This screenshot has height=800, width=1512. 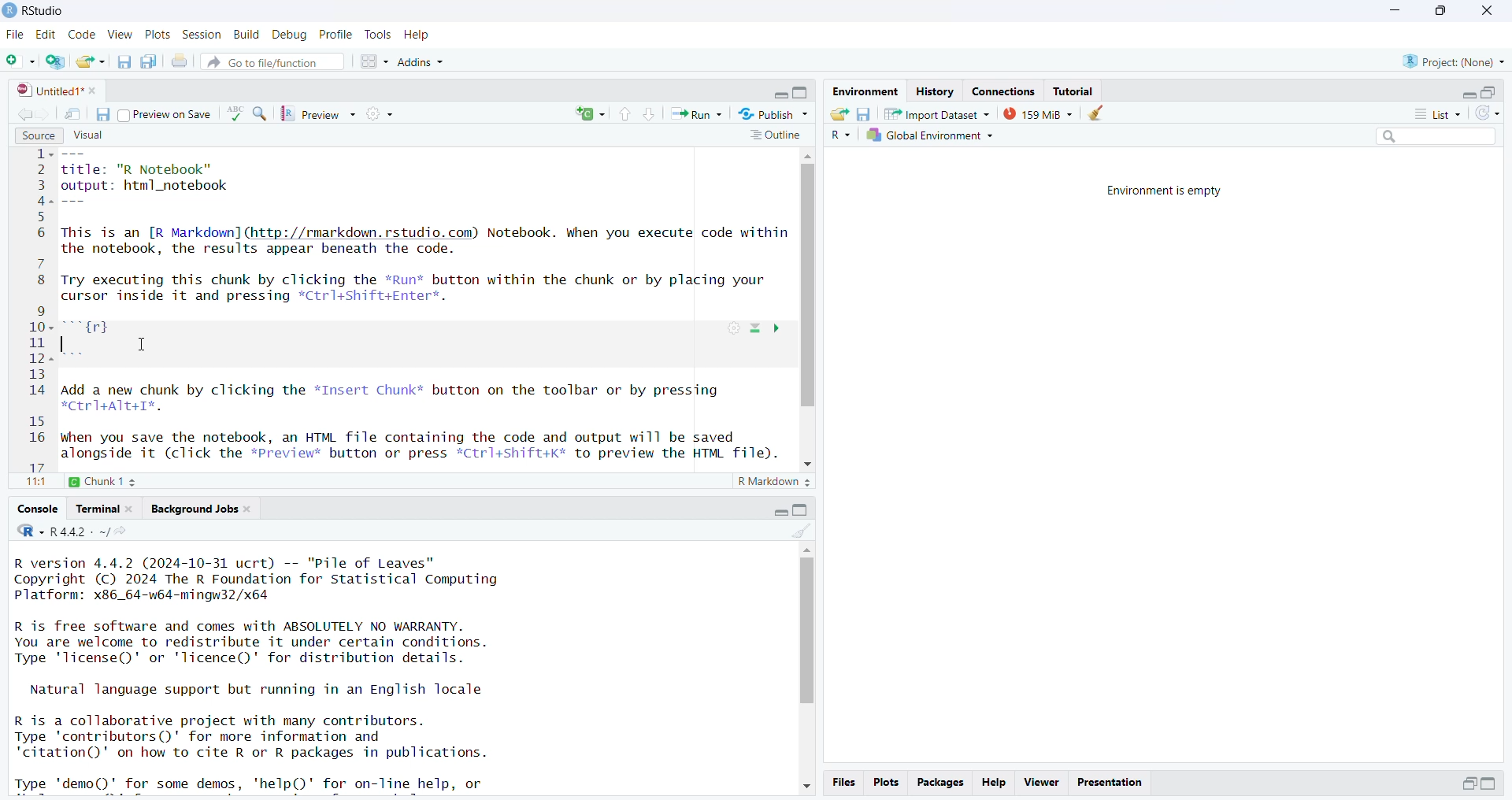 I want to click on history, so click(x=934, y=92).